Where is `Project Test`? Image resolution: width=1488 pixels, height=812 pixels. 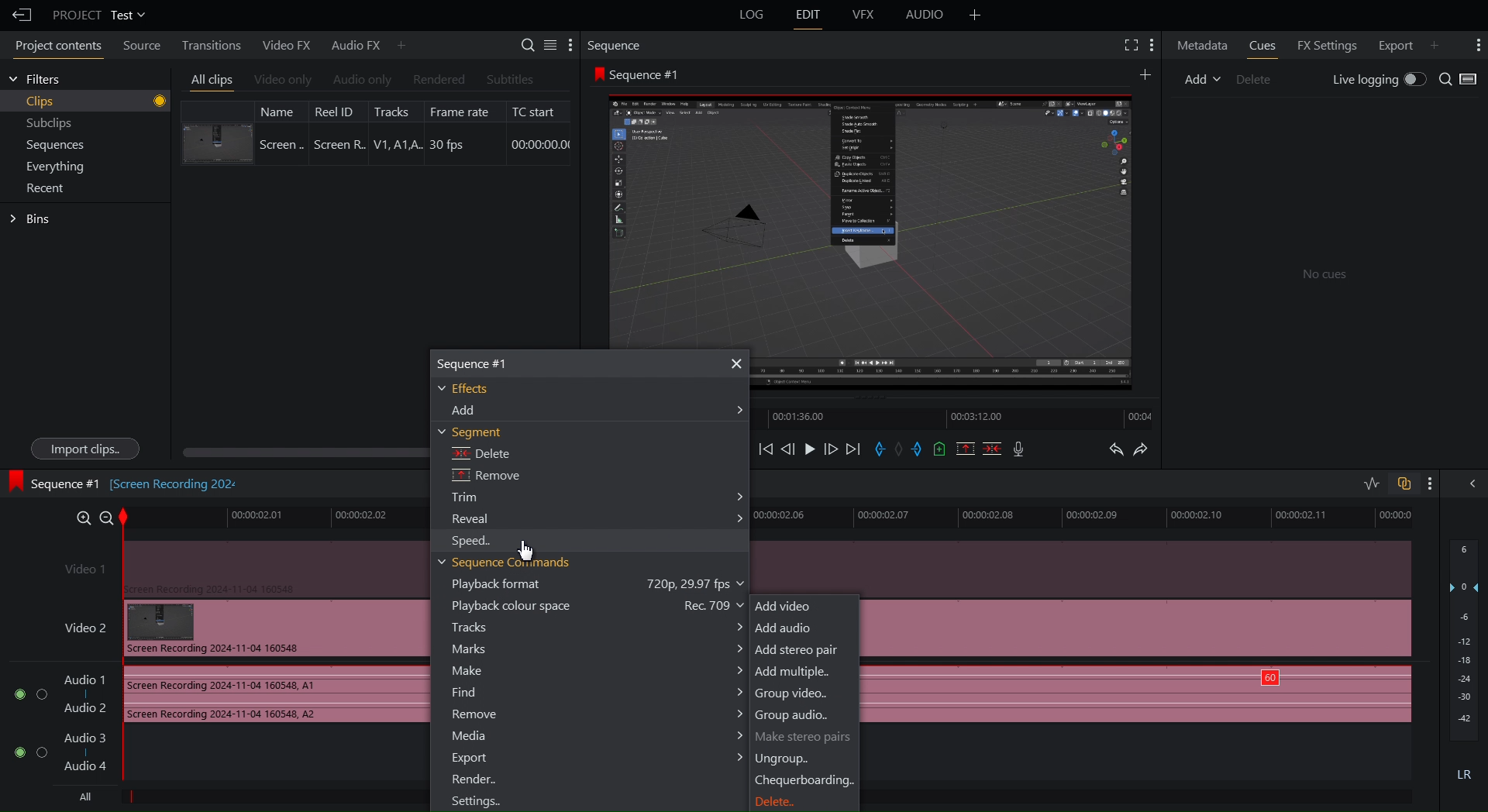
Project Test is located at coordinates (98, 15).